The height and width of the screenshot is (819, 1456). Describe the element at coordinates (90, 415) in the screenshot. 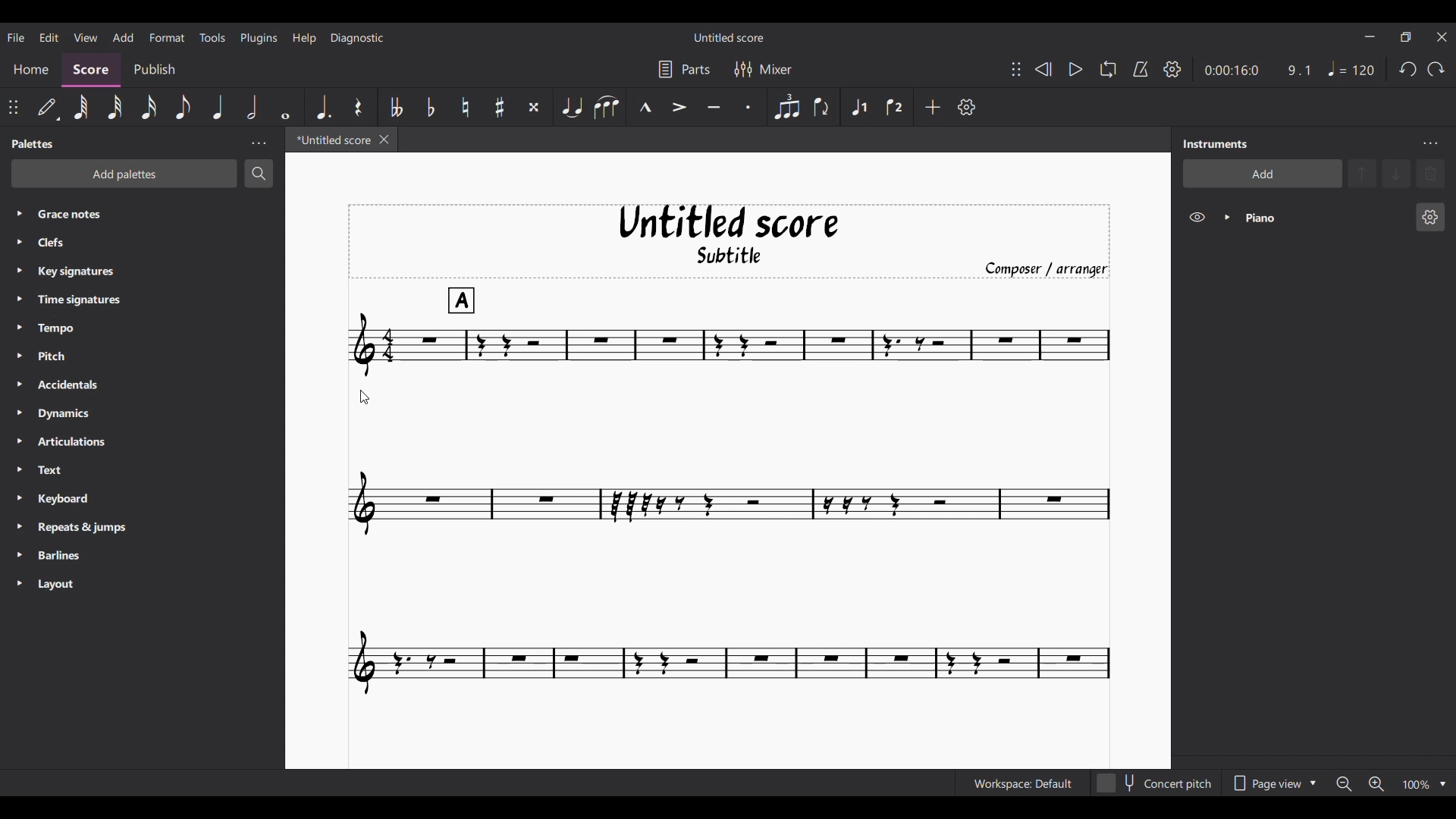

I see `Dynamics` at that location.